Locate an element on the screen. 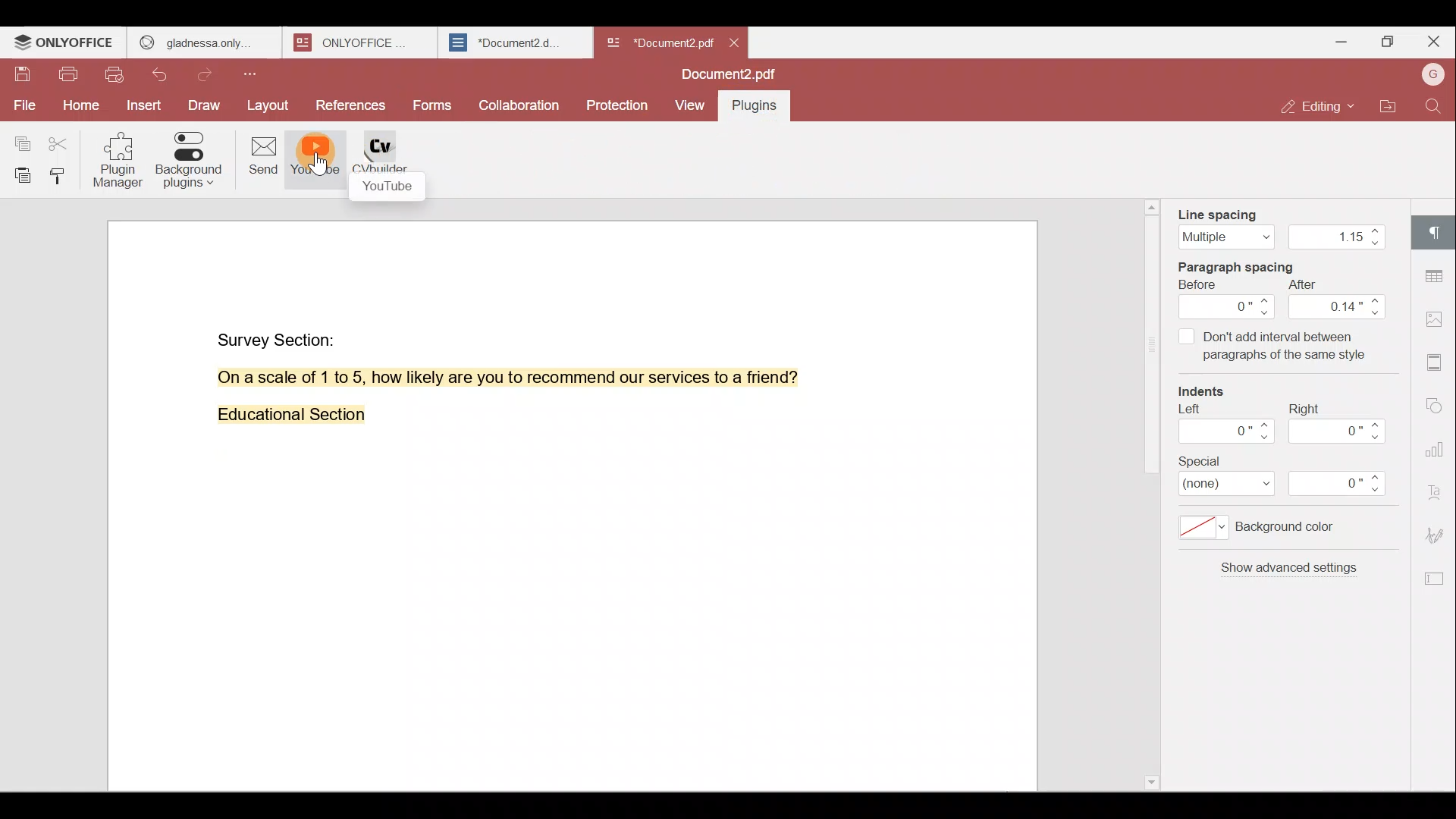  Table settings is located at coordinates (1436, 272).